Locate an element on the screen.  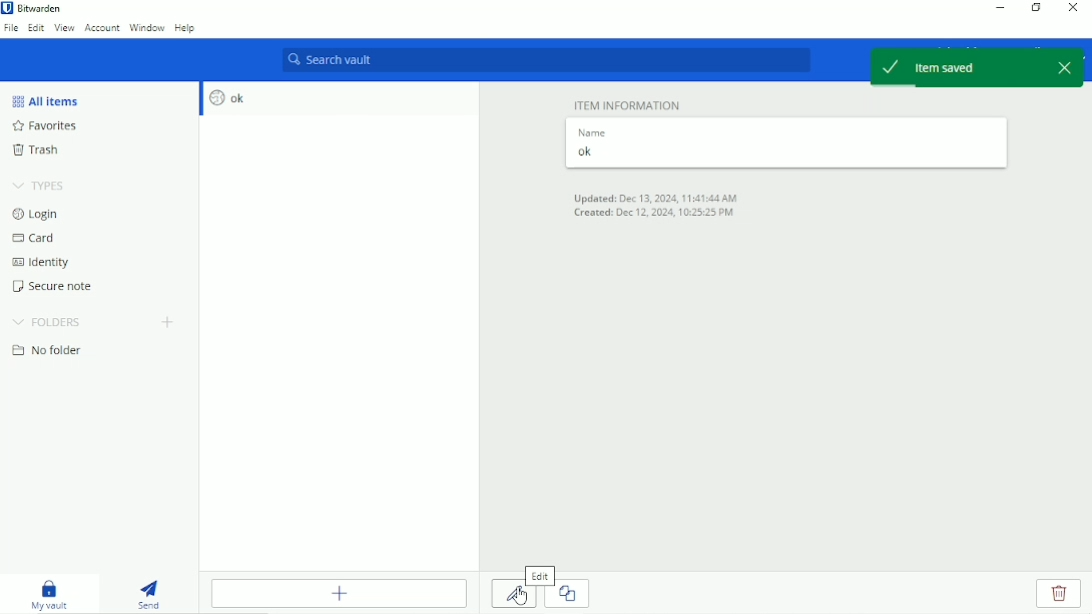
Search vault is located at coordinates (545, 59).